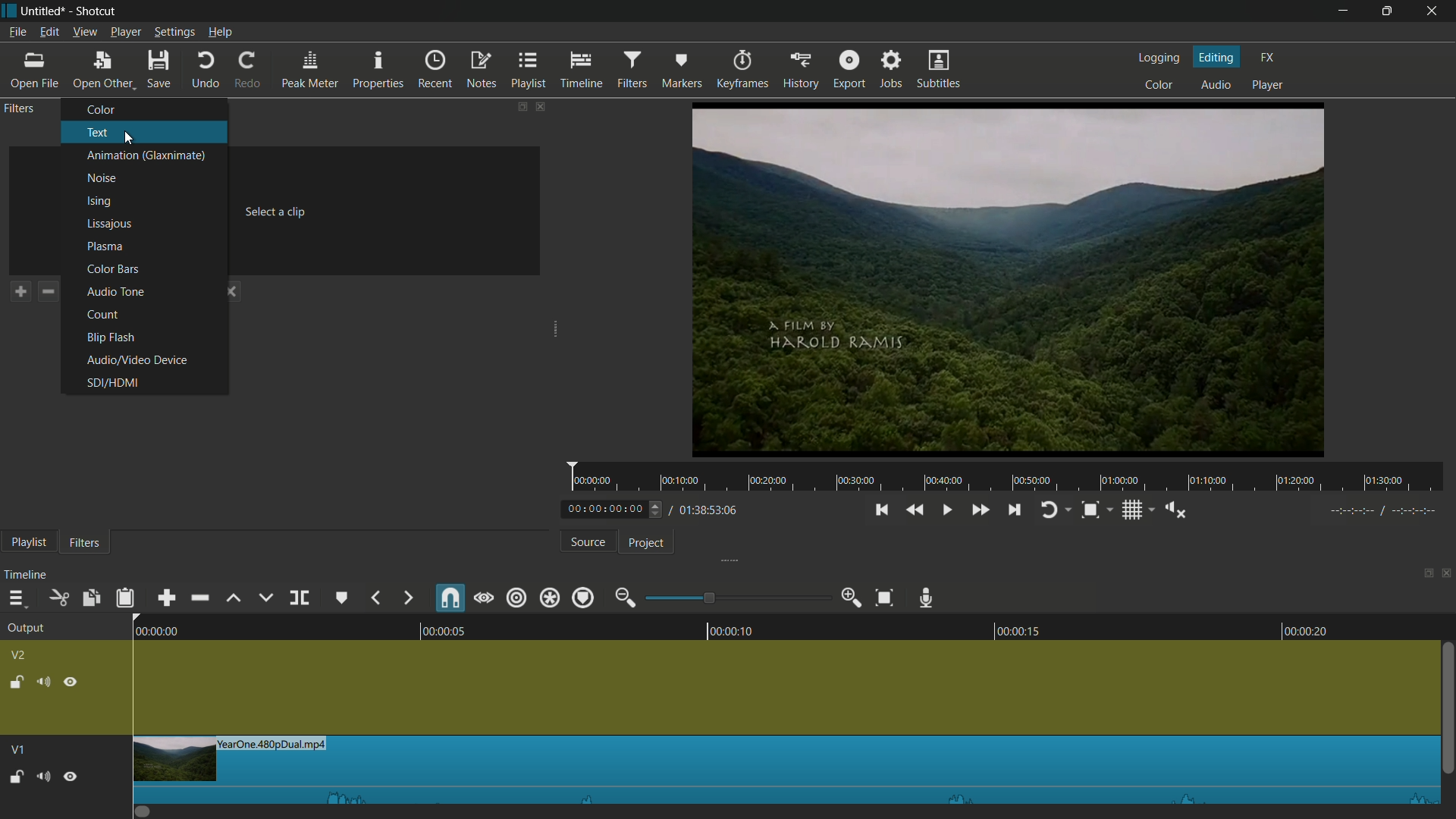  What do you see at coordinates (86, 32) in the screenshot?
I see `view menu` at bounding box center [86, 32].